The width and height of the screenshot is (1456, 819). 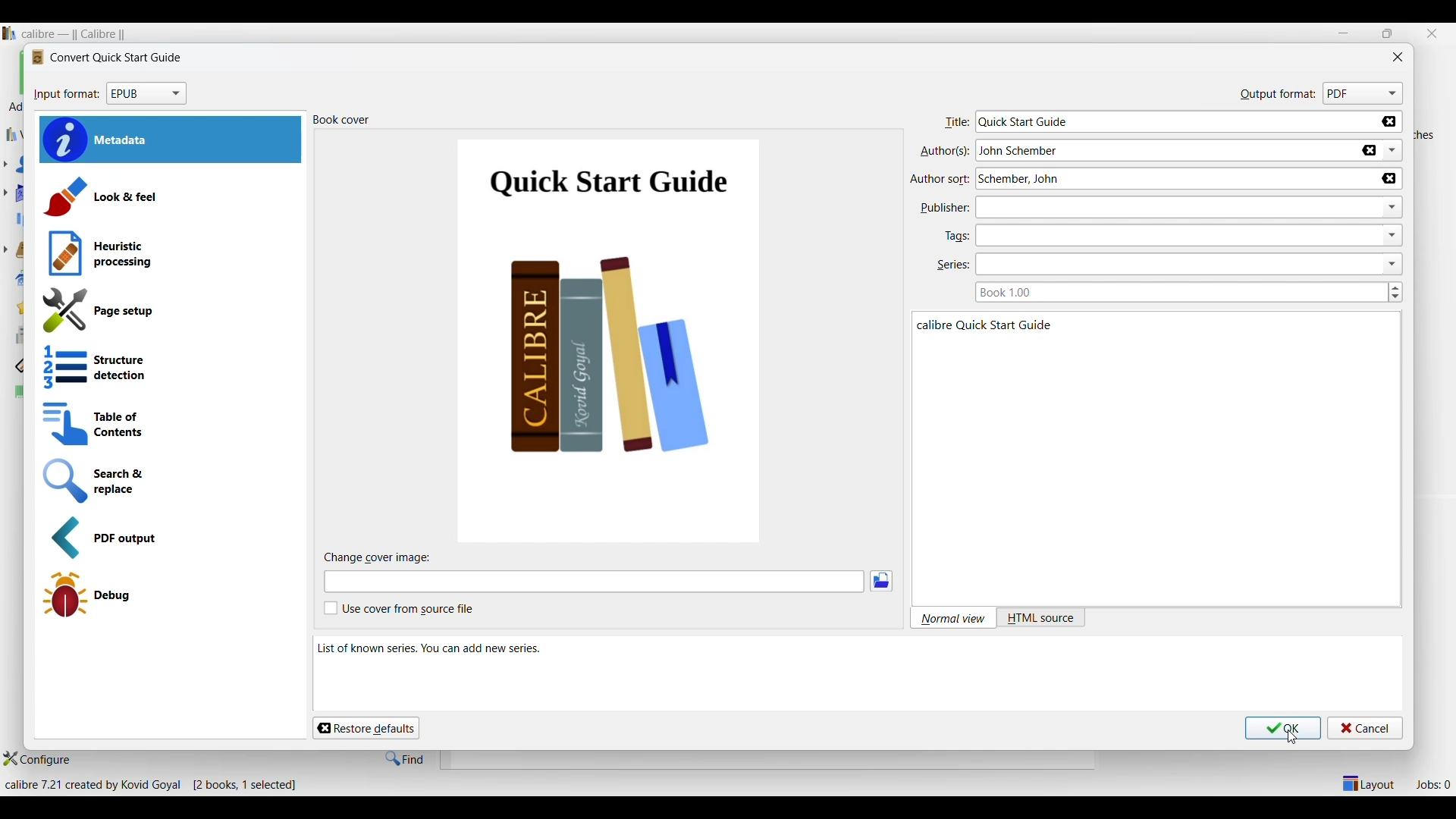 I want to click on Cover of current book, so click(x=611, y=339).